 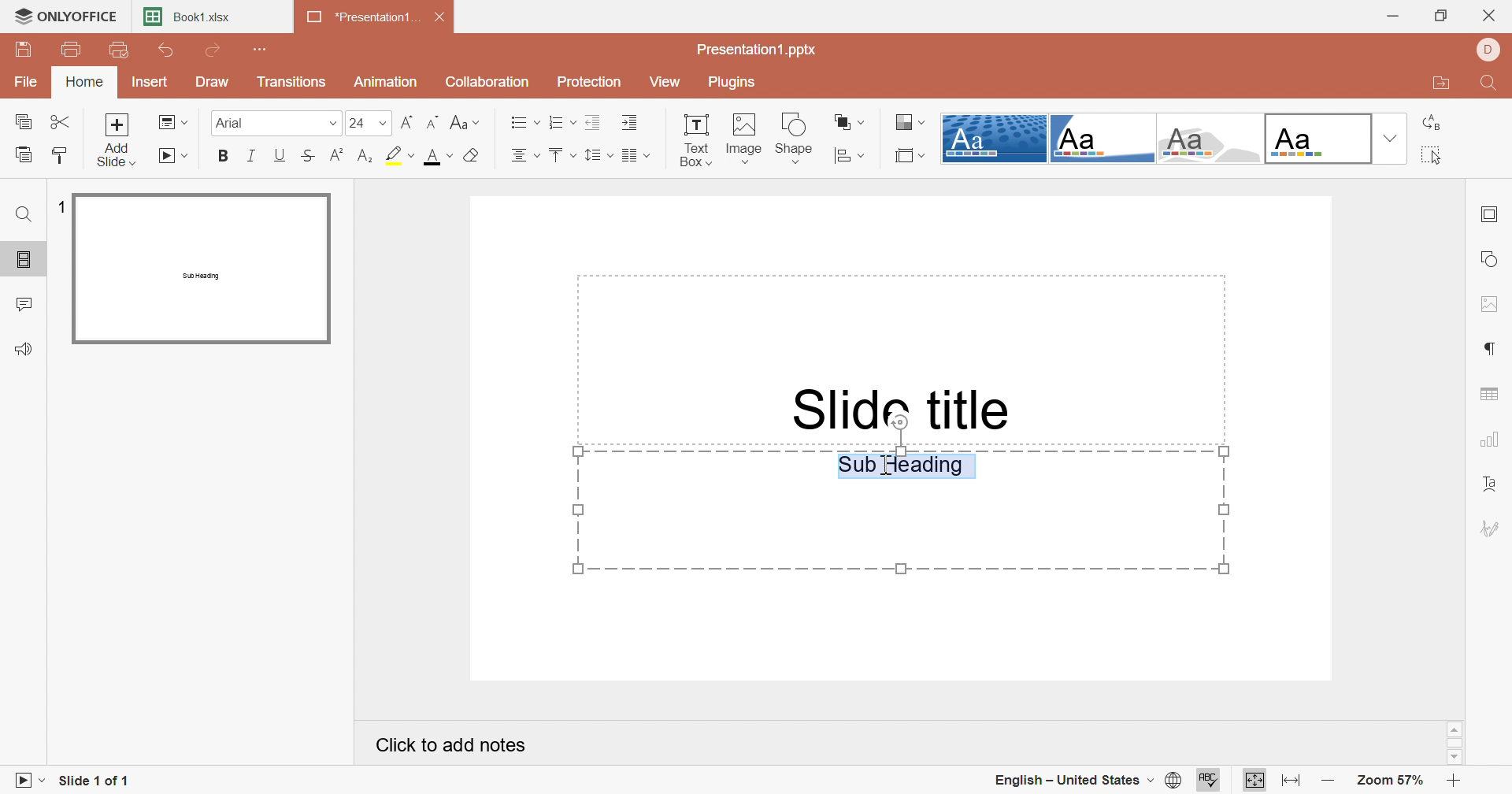 I want to click on Text Art settings, so click(x=1496, y=484).